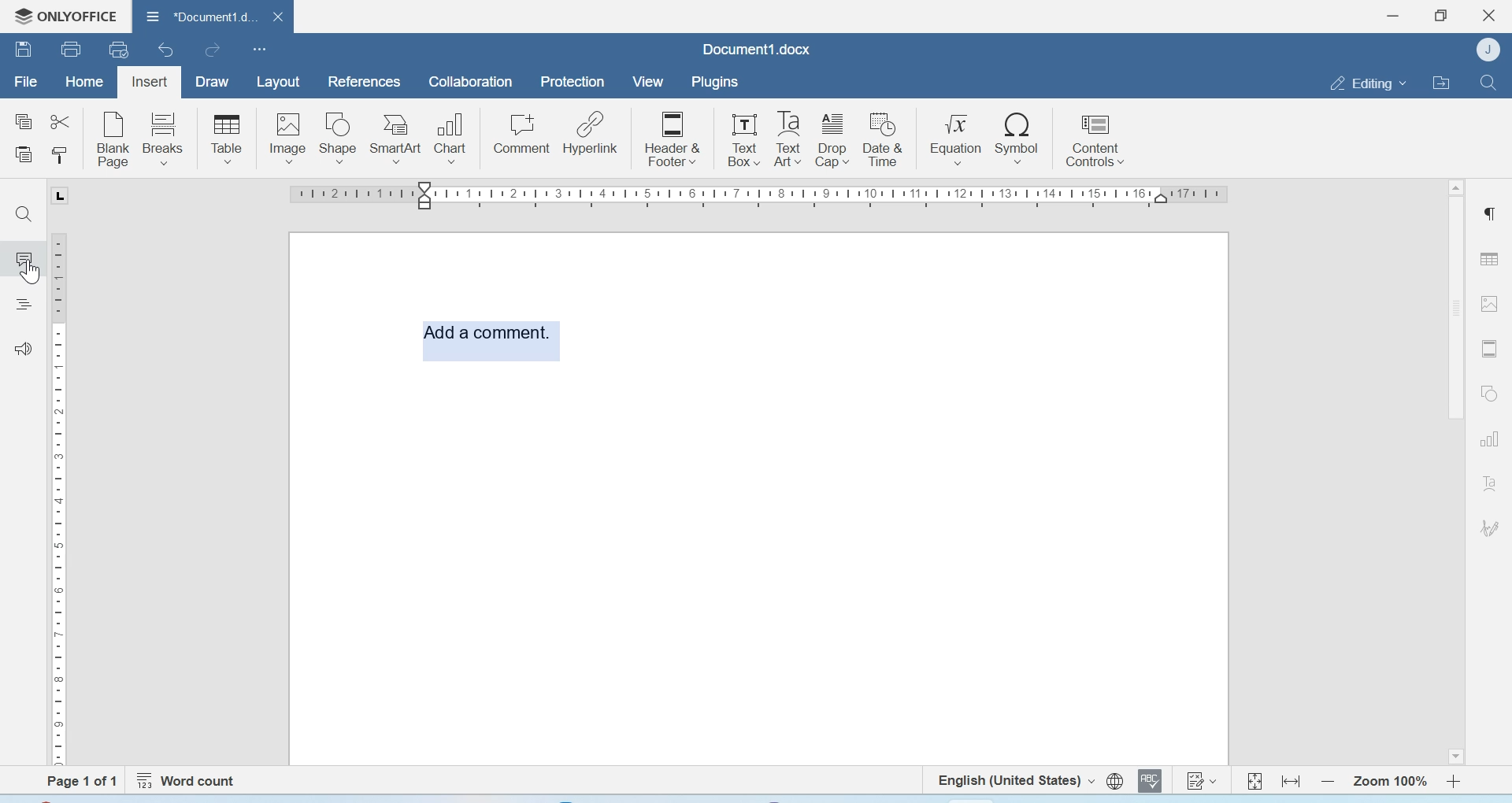  What do you see at coordinates (1440, 16) in the screenshot?
I see `Maximize` at bounding box center [1440, 16].